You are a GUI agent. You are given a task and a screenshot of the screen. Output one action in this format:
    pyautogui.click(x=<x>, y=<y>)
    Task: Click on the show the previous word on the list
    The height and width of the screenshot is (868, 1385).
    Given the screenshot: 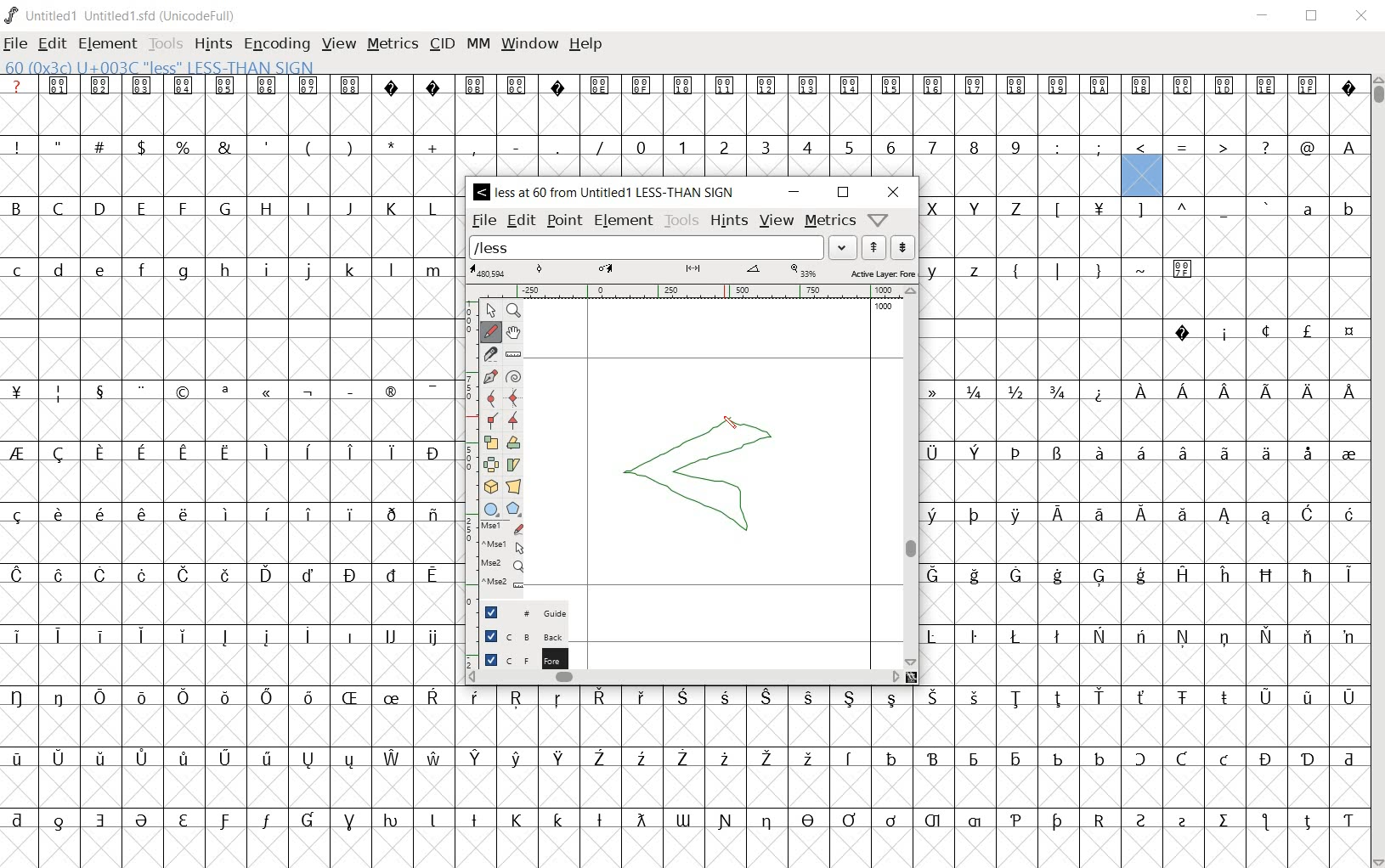 What is the action you would take?
    pyautogui.click(x=904, y=246)
    